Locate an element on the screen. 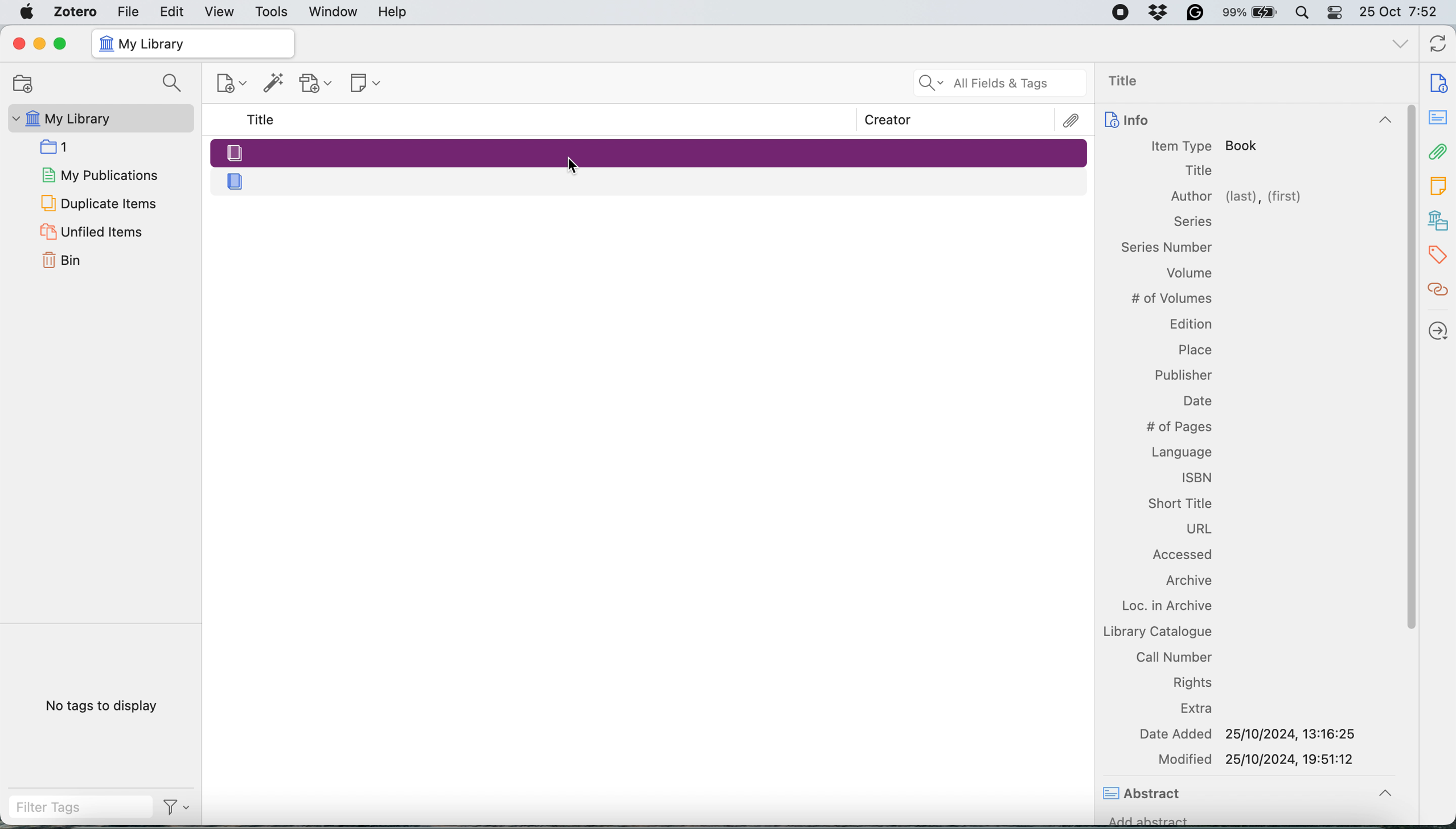  Add Item is located at coordinates (274, 86).